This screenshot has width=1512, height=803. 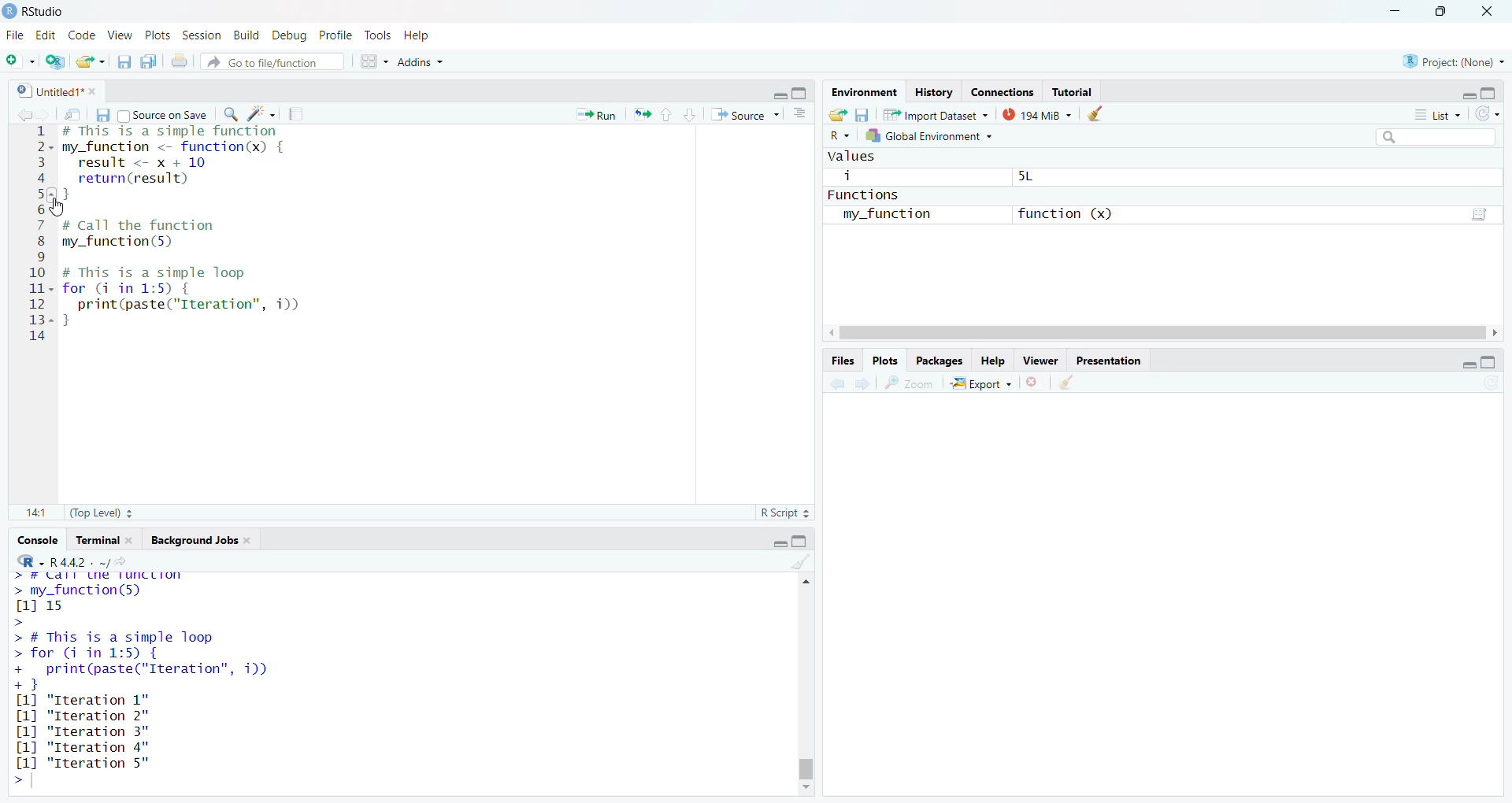 I want to click on source the contents of the document, so click(x=746, y=115).